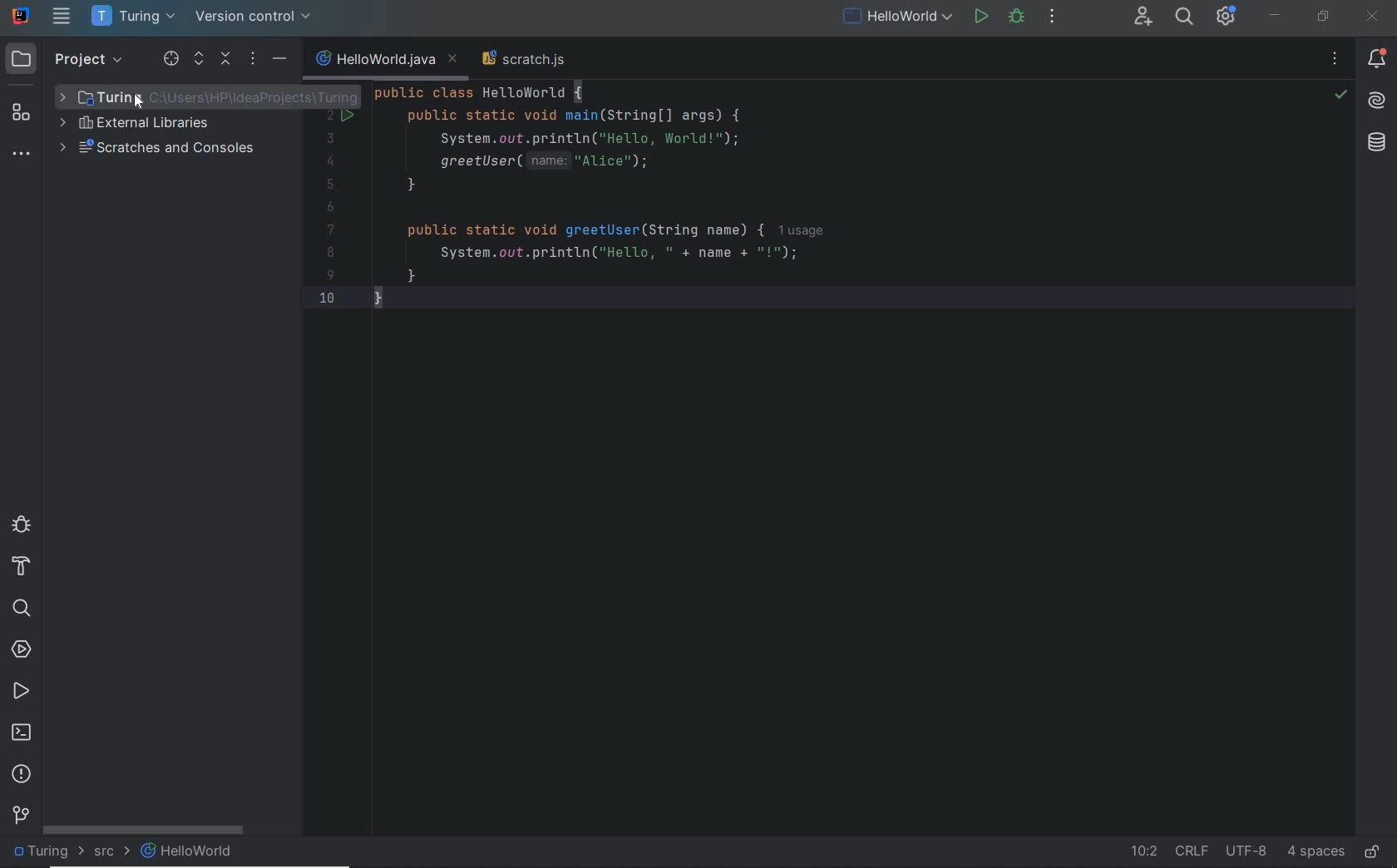 This screenshot has height=868, width=1397. Describe the element at coordinates (388, 59) in the screenshot. I see `file name` at that location.